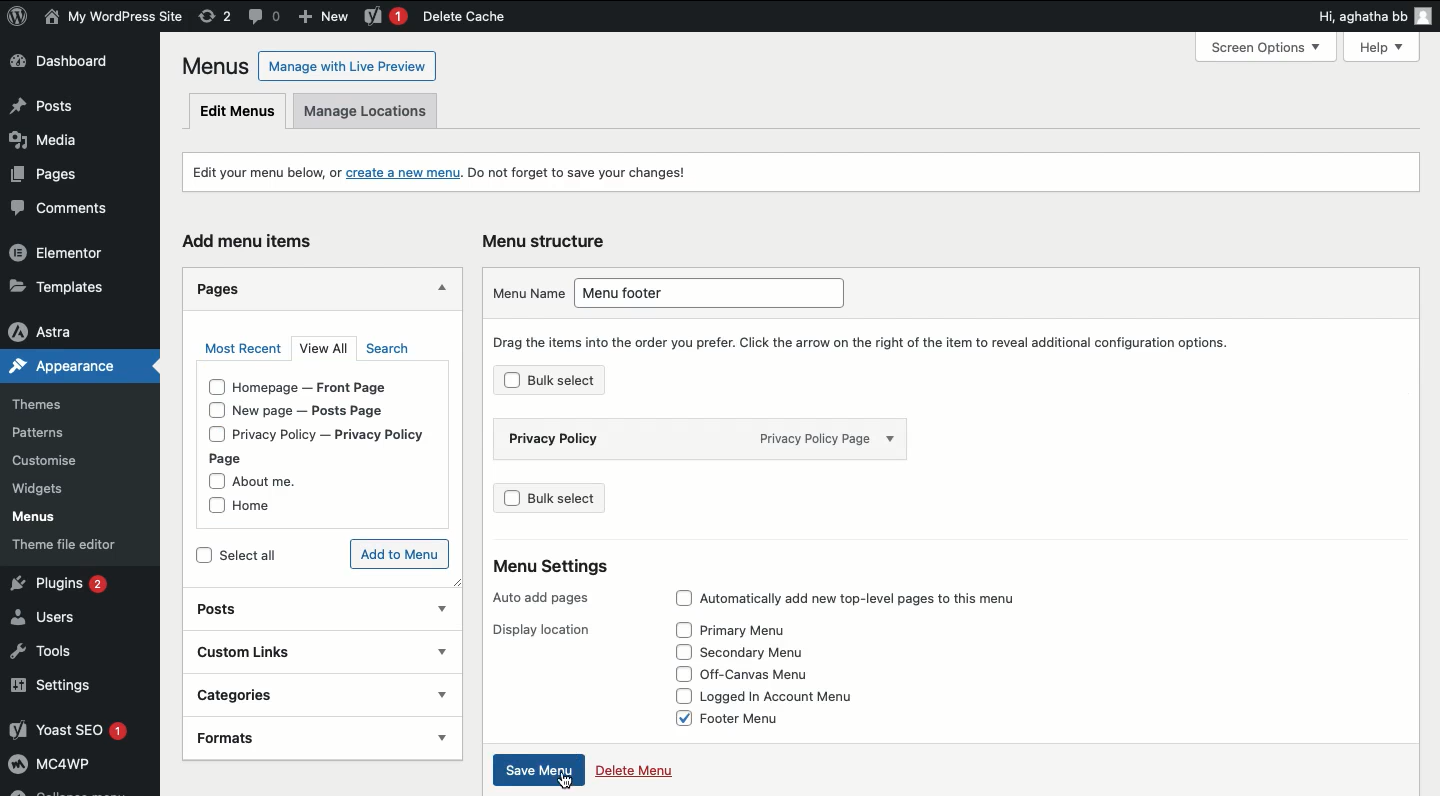 The height and width of the screenshot is (796, 1440). I want to click on Revision, so click(215, 17).